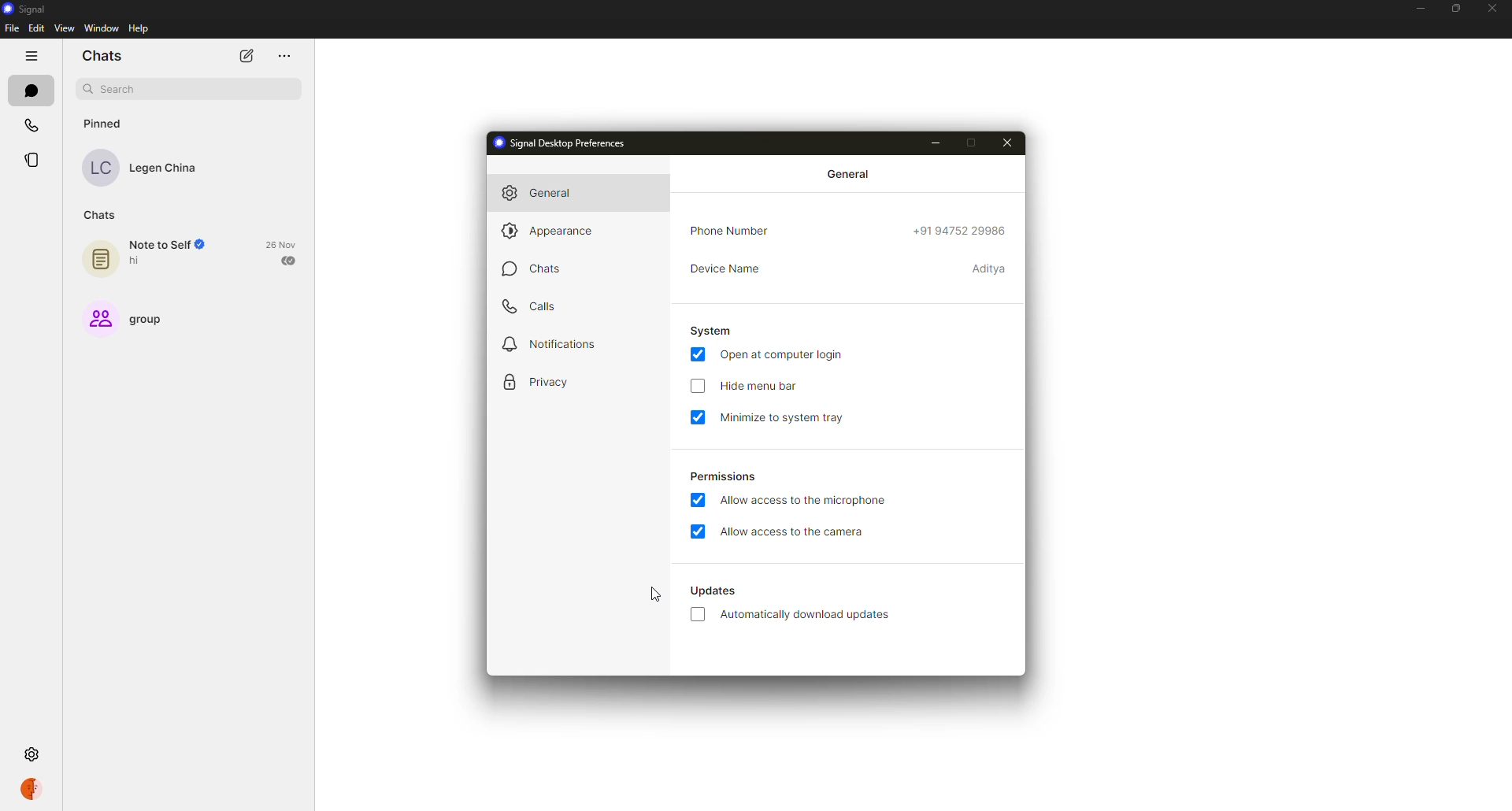 This screenshot has width=1512, height=811. Describe the element at coordinates (936, 143) in the screenshot. I see `minimize` at that location.